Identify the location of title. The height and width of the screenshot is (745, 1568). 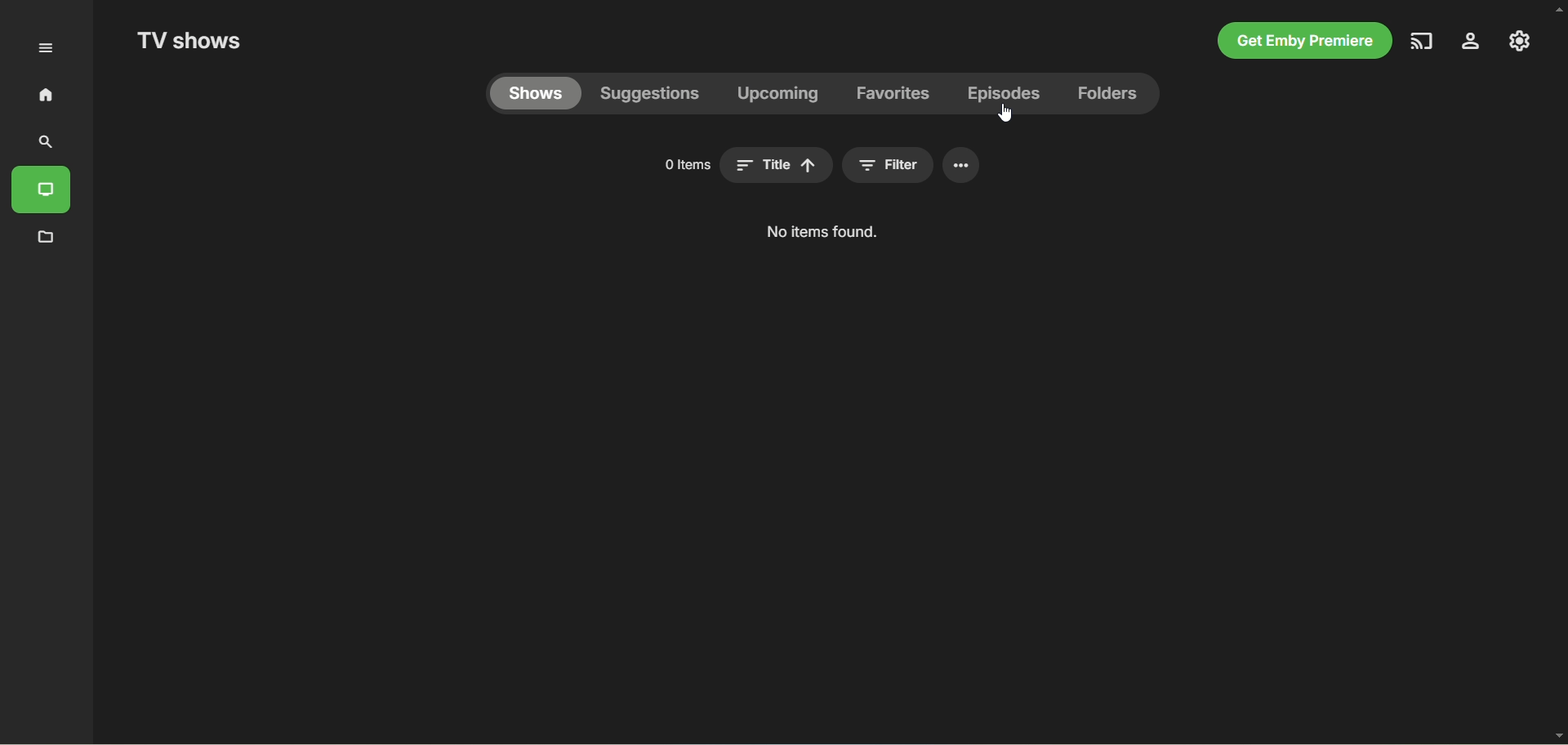
(776, 165).